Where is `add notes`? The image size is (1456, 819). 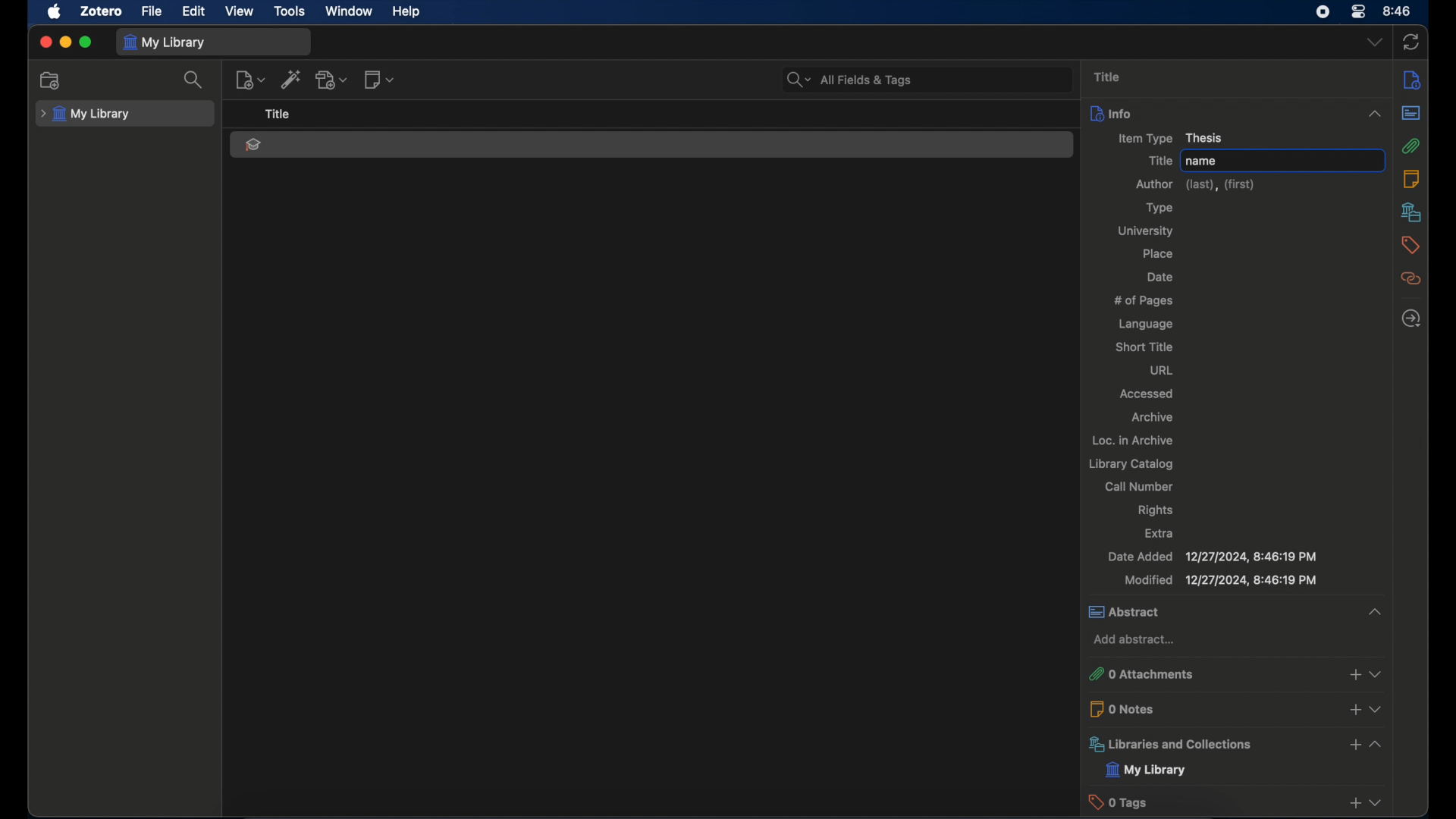
add notes is located at coordinates (1351, 710).